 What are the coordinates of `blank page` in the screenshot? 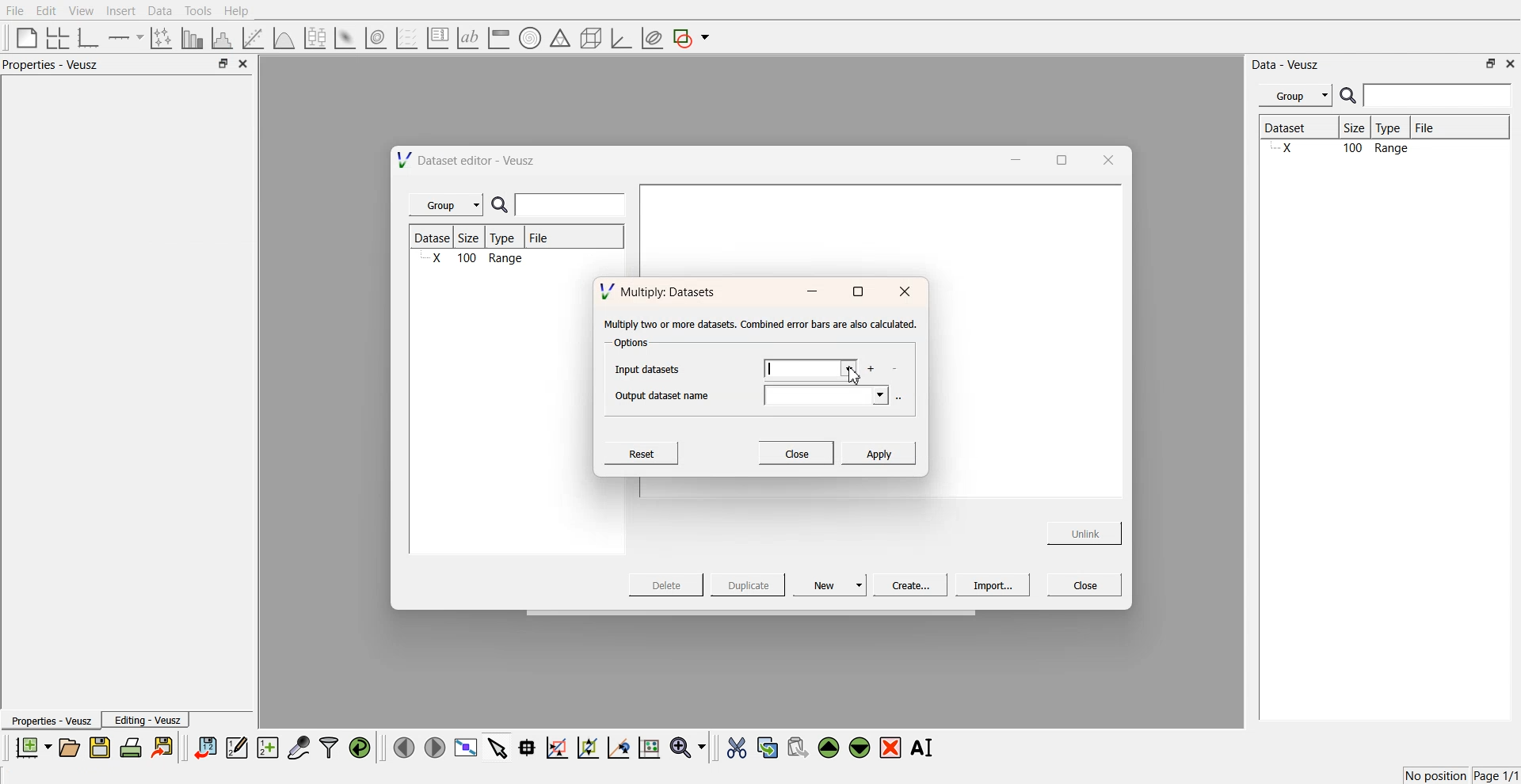 It's located at (23, 36).